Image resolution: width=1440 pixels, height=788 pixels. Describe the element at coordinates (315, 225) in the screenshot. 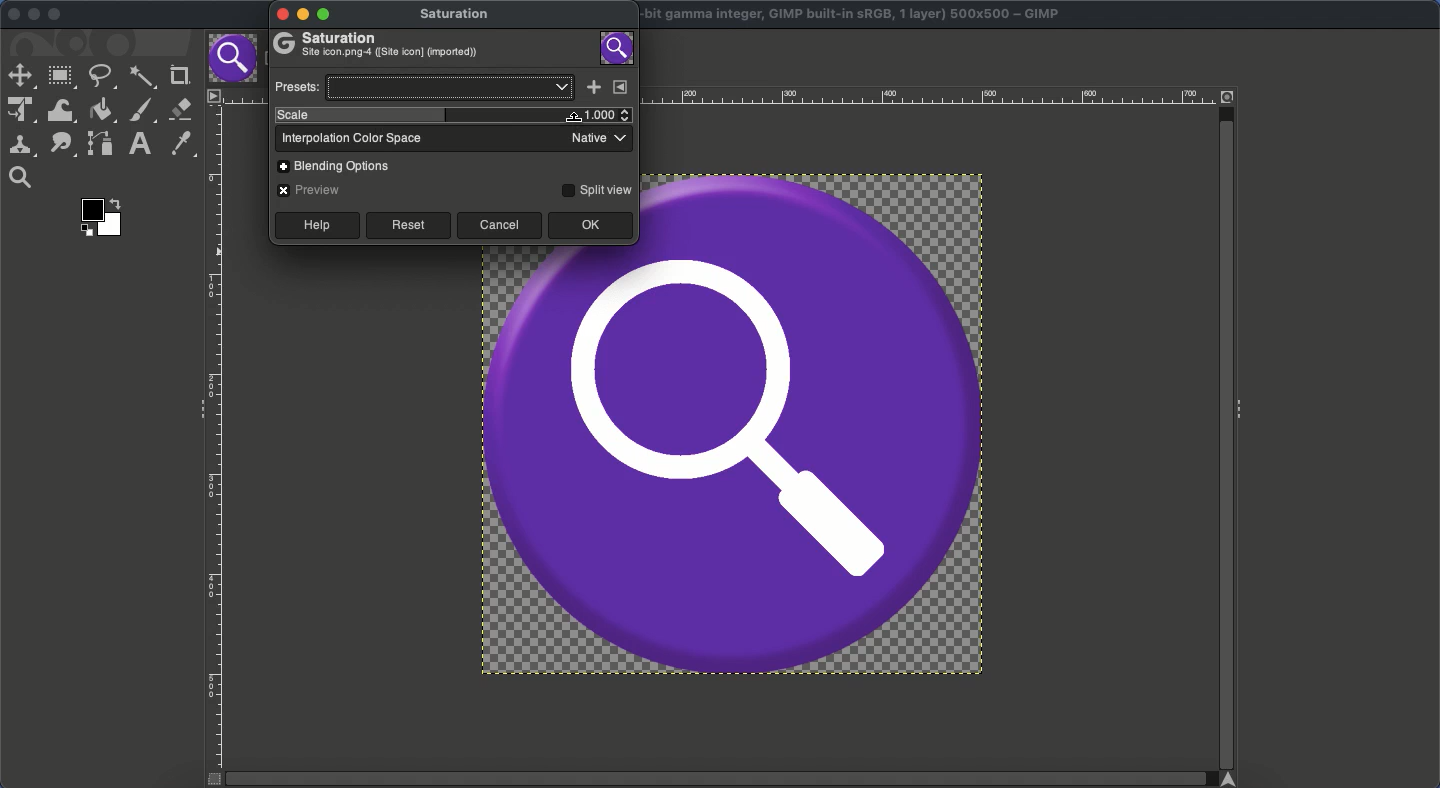

I see `Help` at that location.